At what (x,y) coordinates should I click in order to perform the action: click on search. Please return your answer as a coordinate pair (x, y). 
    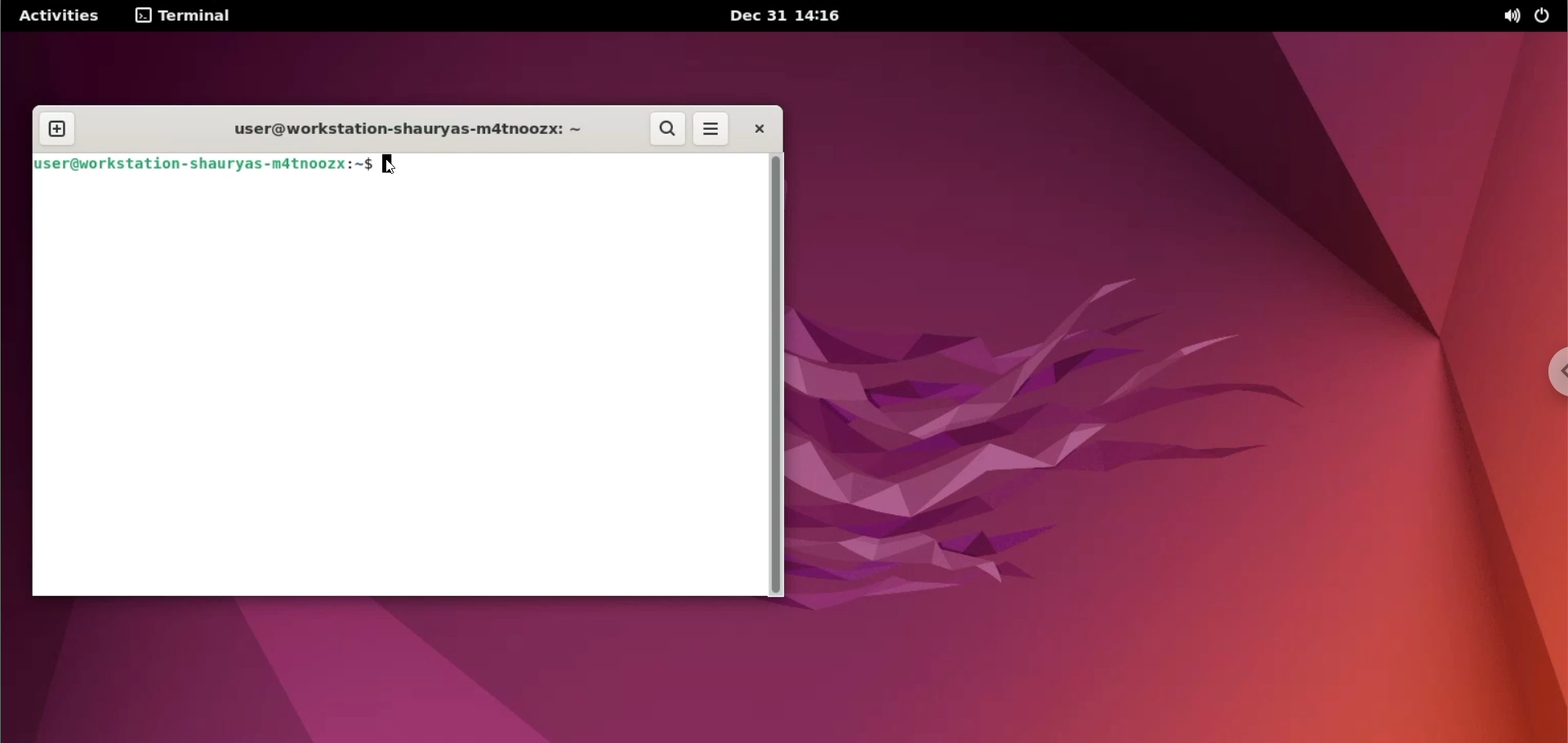
    Looking at the image, I should click on (666, 130).